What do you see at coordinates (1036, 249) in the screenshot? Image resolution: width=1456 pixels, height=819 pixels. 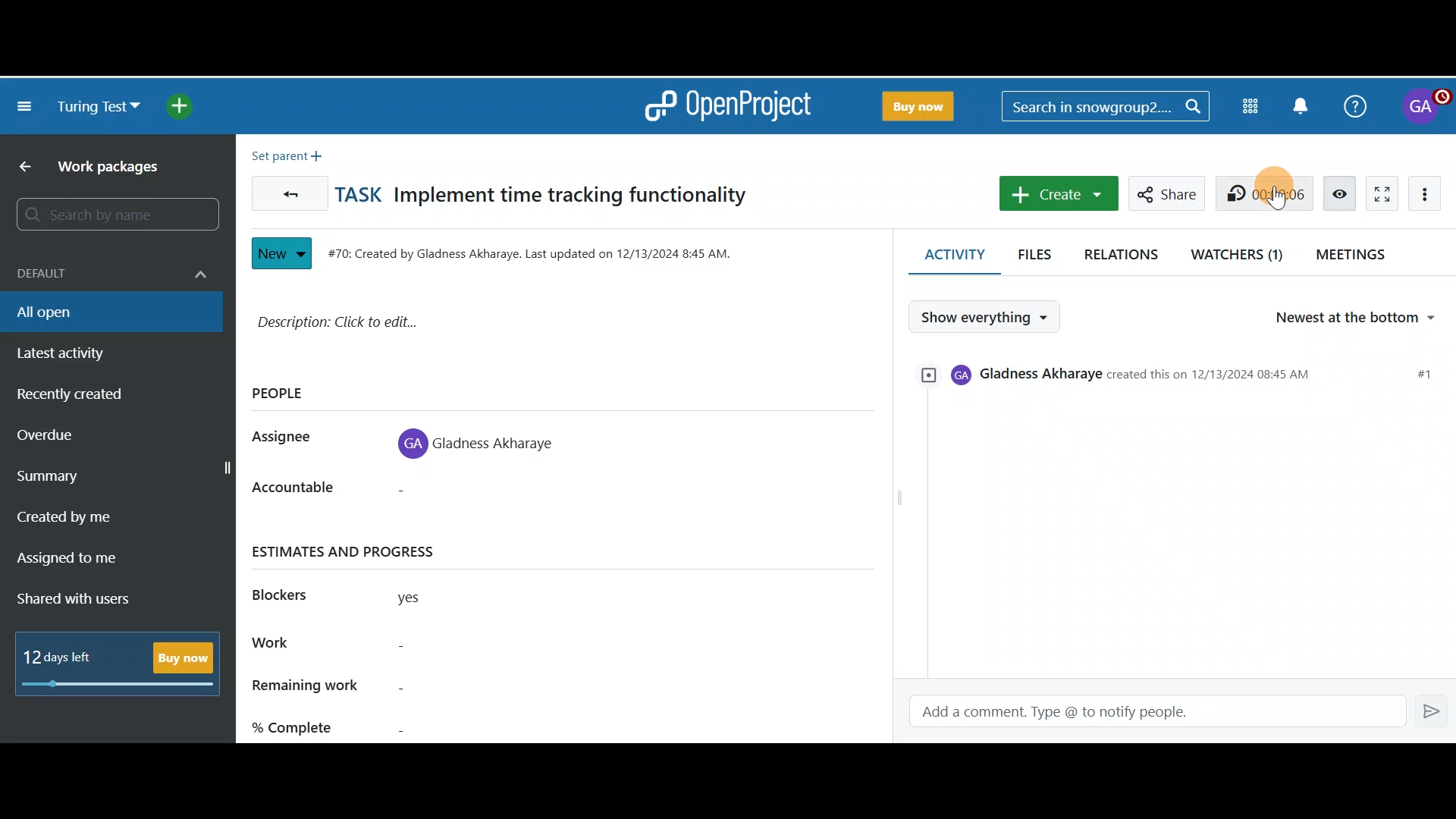 I see `Files` at bounding box center [1036, 249].